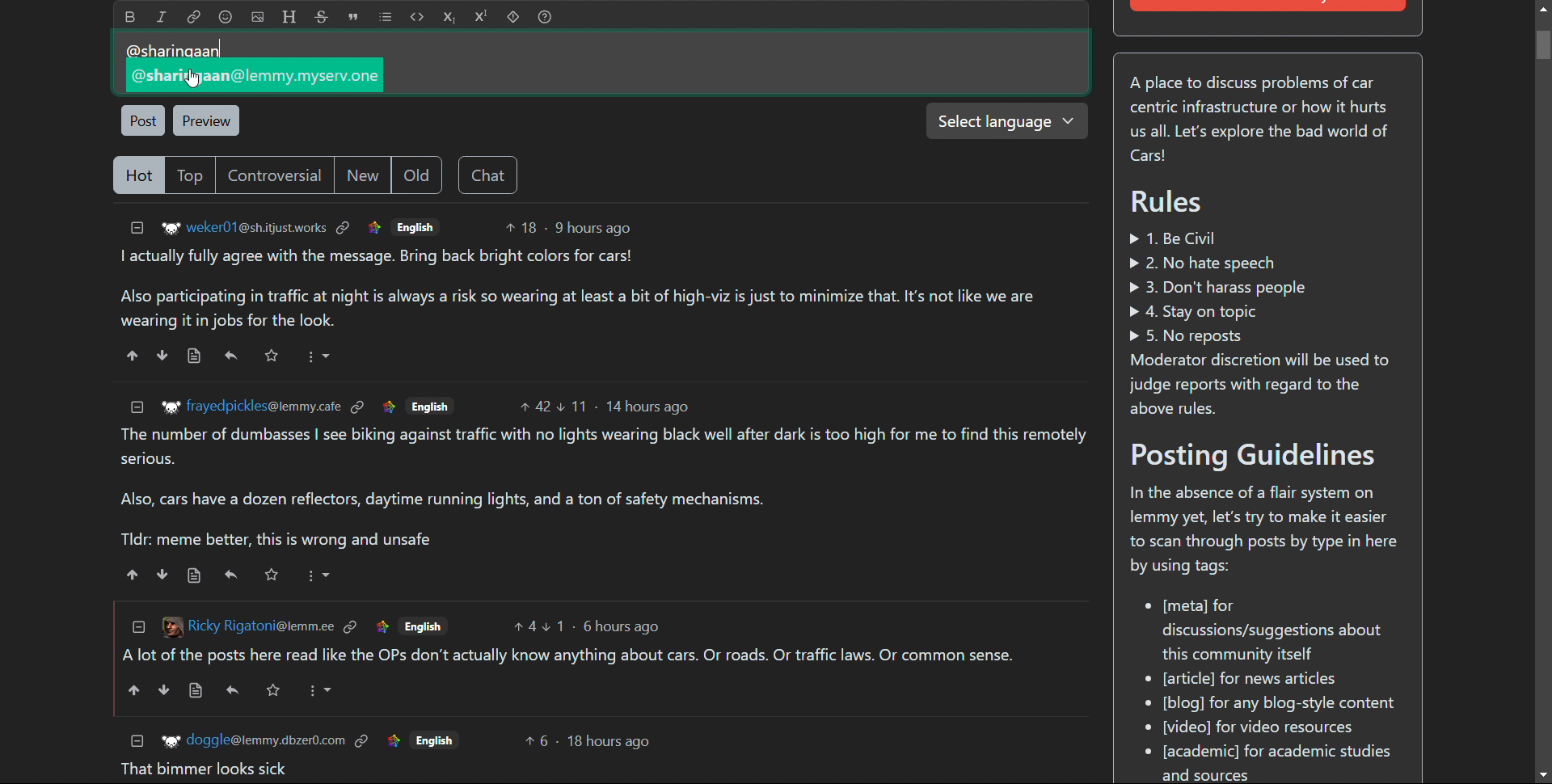  What do you see at coordinates (436, 739) in the screenshot?
I see `` at bounding box center [436, 739].